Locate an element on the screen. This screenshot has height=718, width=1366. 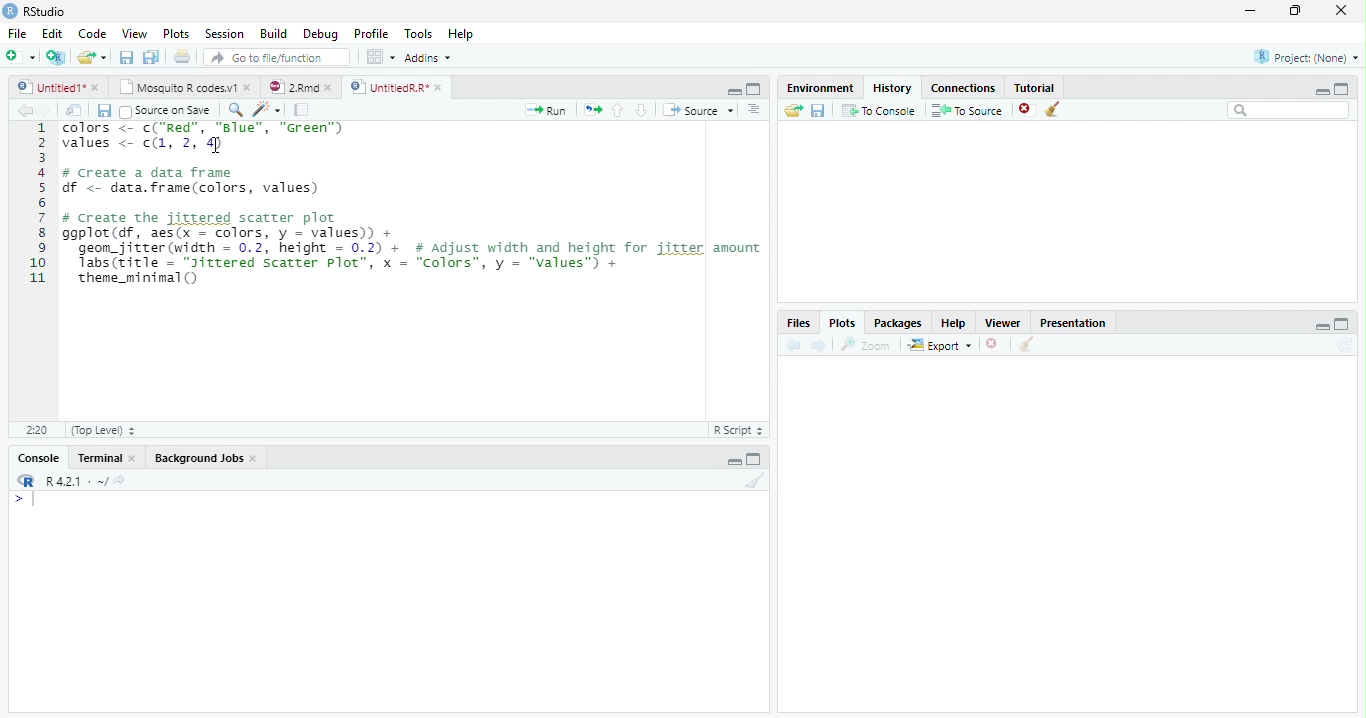
Line numbers is located at coordinates (37, 205).